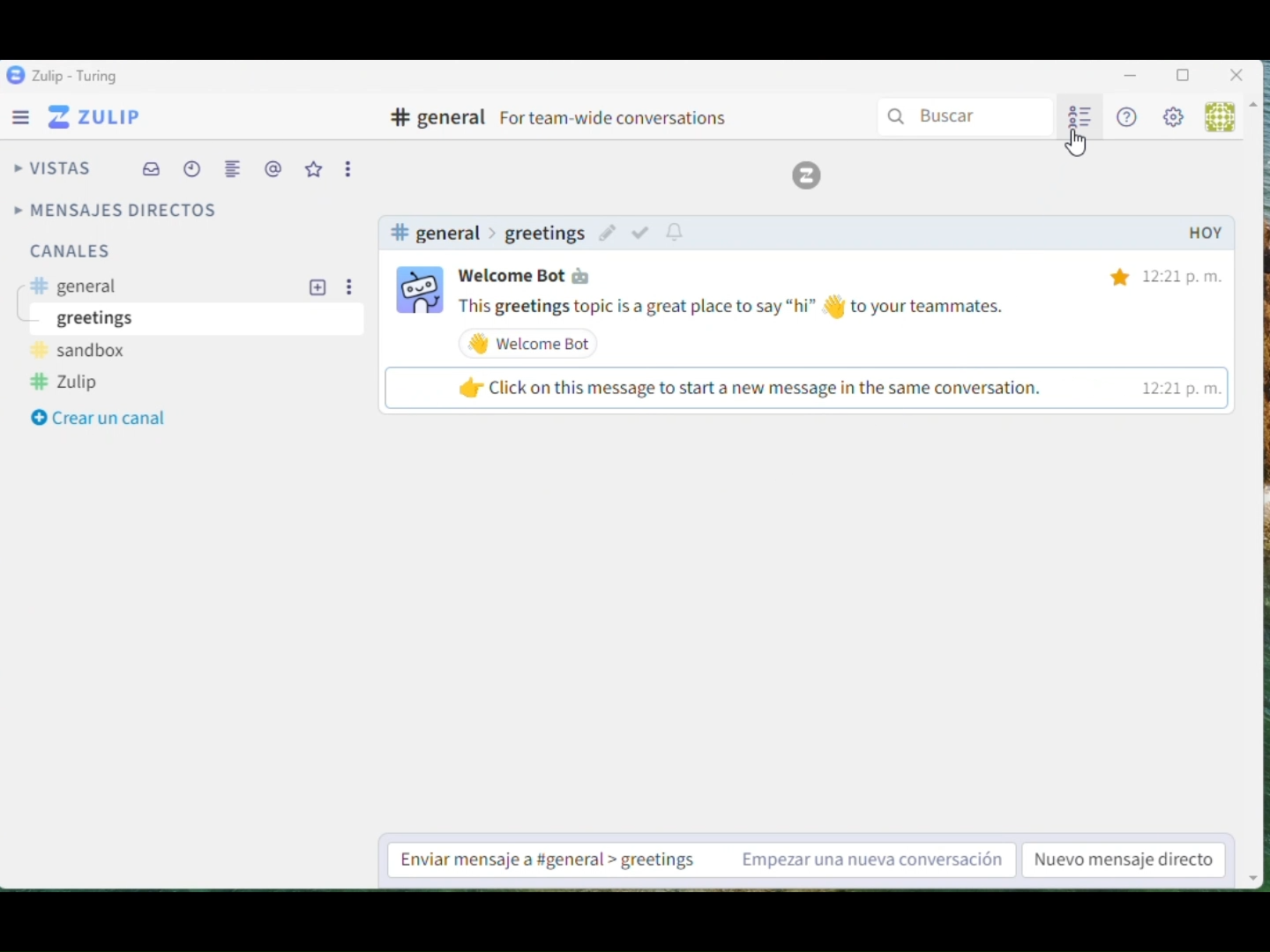 This screenshot has height=952, width=1270. What do you see at coordinates (1259, 109) in the screenshot?
I see `Up` at bounding box center [1259, 109].